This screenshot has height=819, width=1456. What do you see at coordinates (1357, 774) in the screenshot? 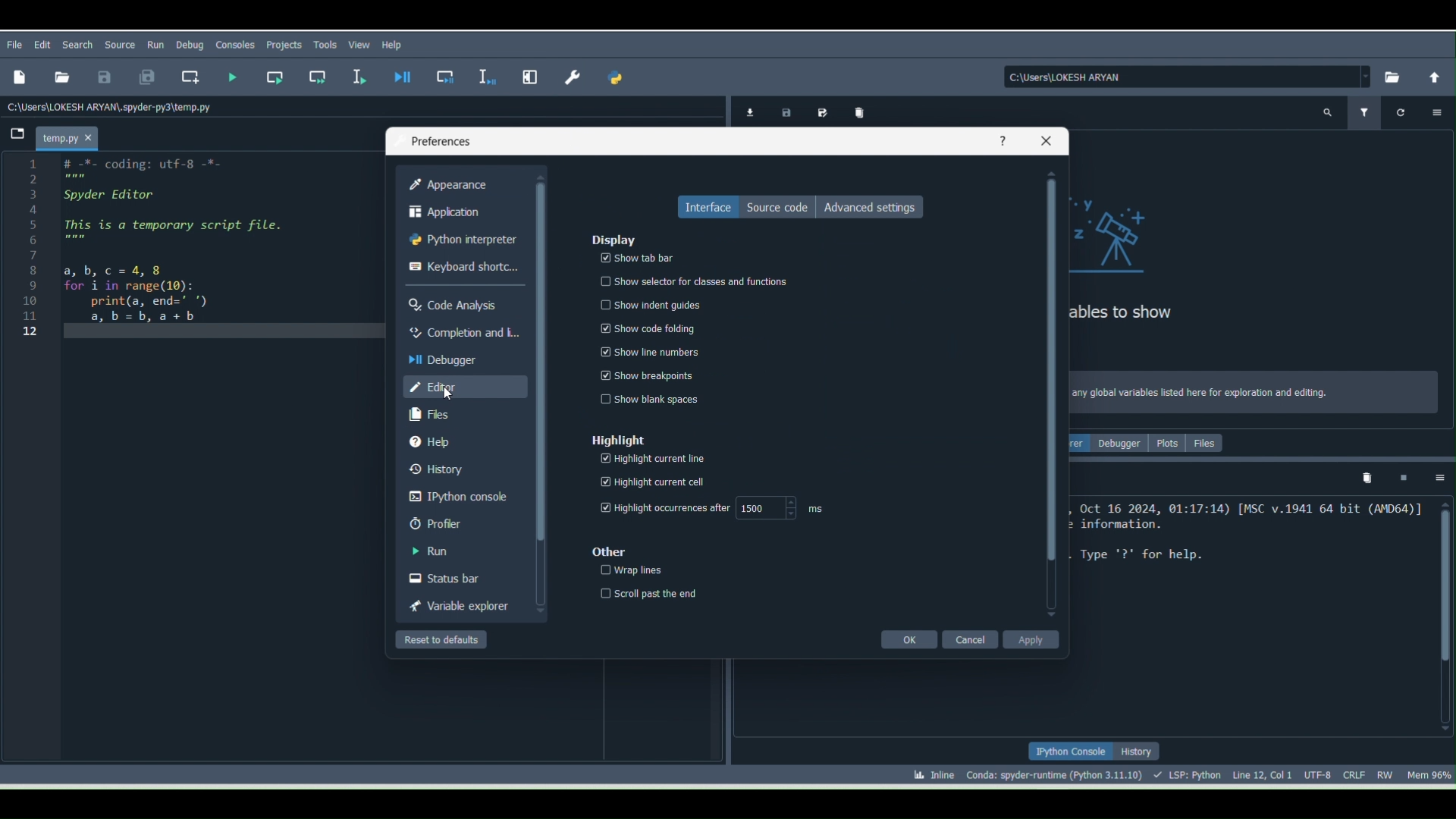
I see `File EOL status` at bounding box center [1357, 774].